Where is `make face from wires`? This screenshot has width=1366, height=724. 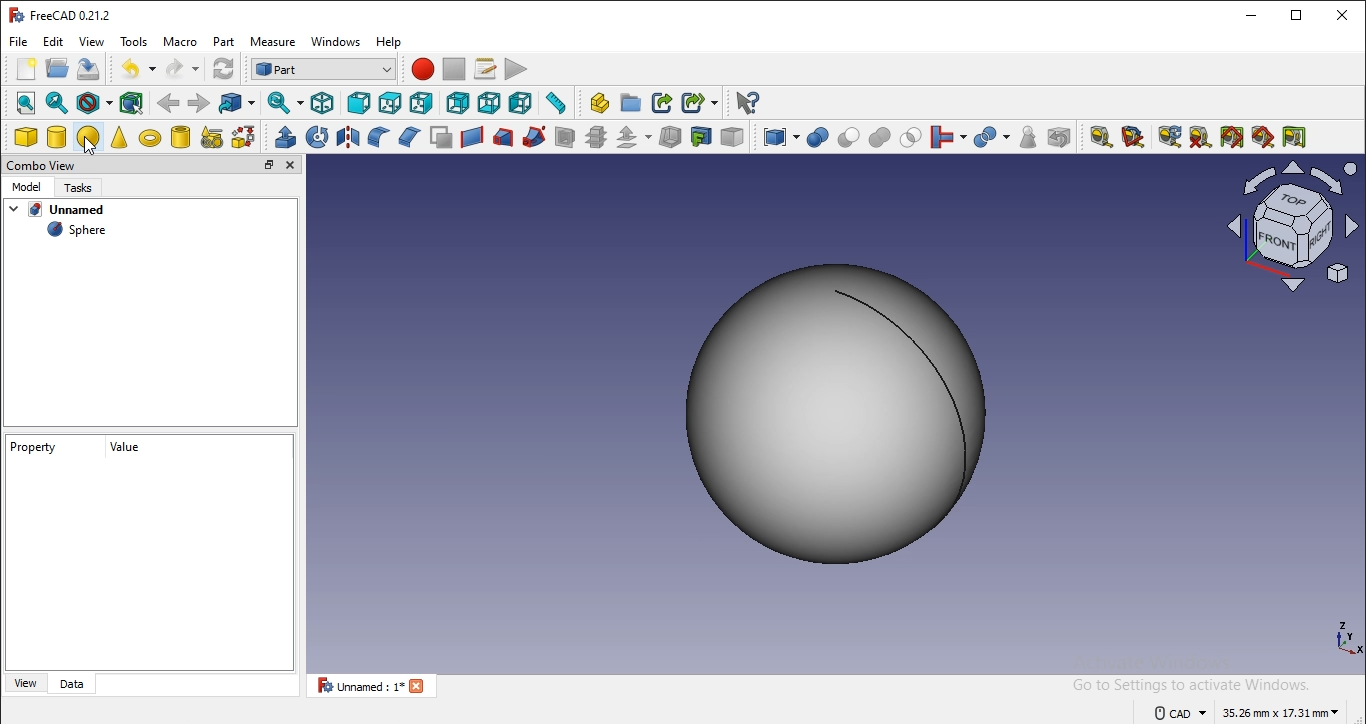 make face from wires is located at coordinates (440, 135).